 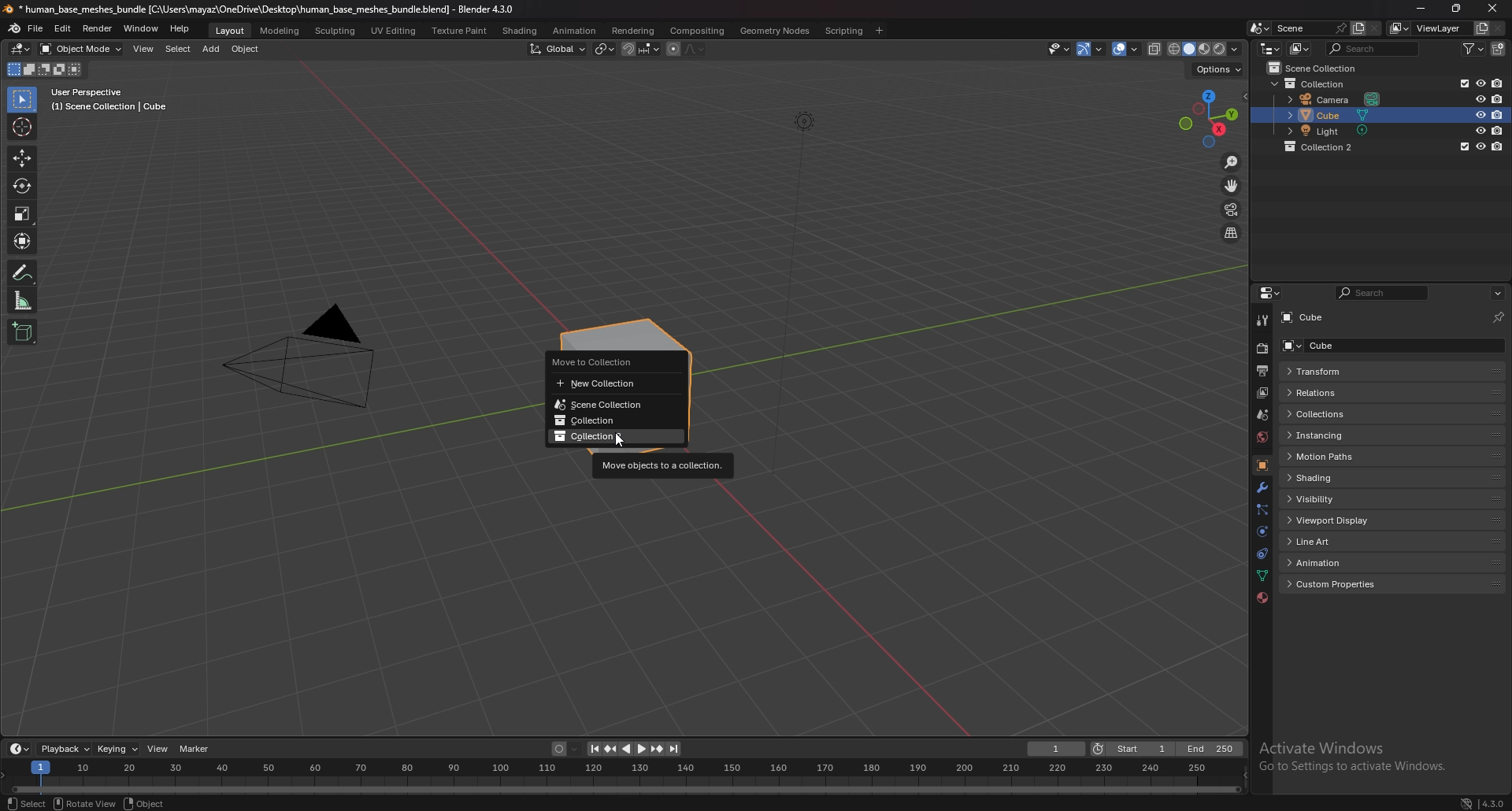 I want to click on add view layer, so click(x=1480, y=28).